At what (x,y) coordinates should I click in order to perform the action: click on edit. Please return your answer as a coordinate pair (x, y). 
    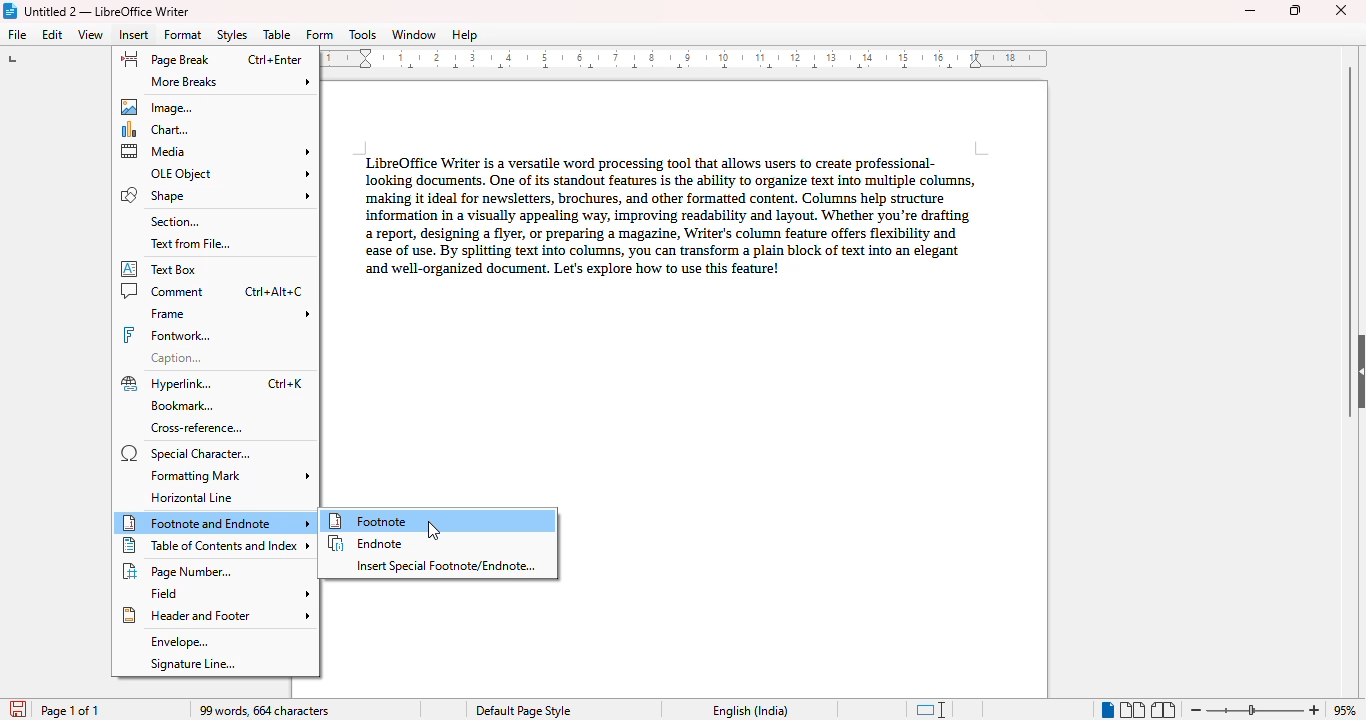
    Looking at the image, I should click on (54, 34).